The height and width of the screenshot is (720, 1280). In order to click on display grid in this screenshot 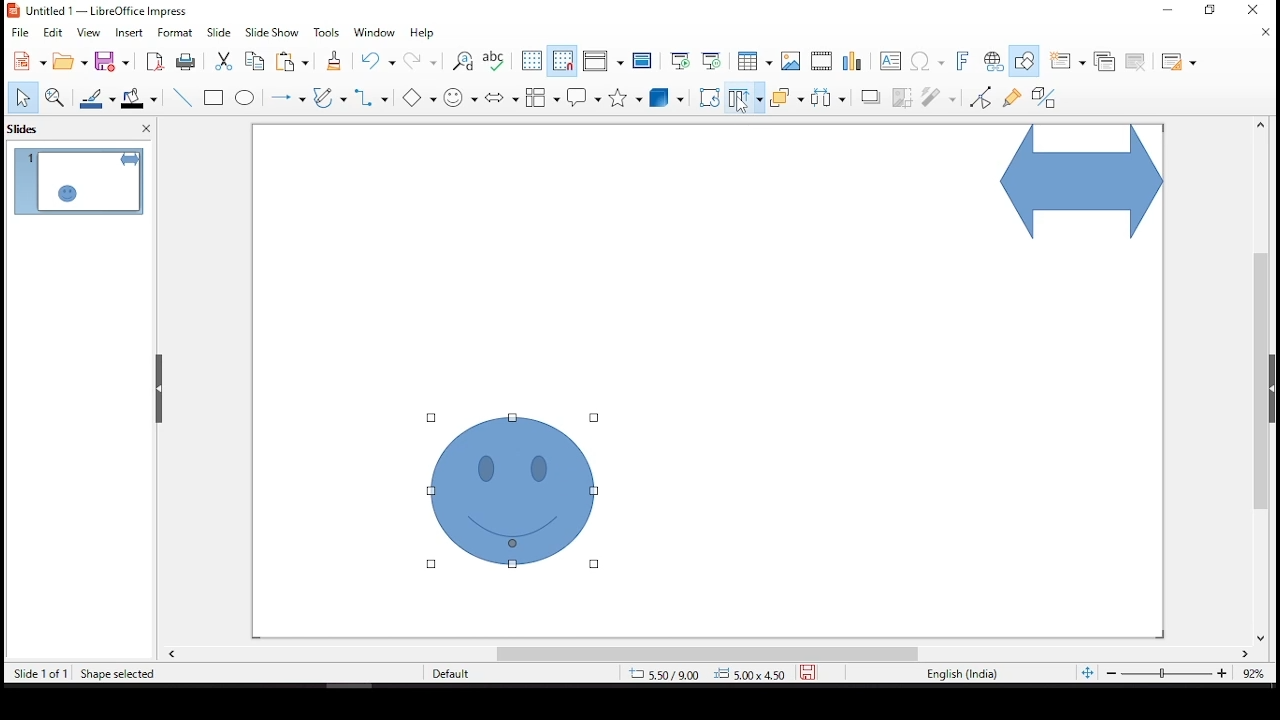, I will do `click(531, 59)`.